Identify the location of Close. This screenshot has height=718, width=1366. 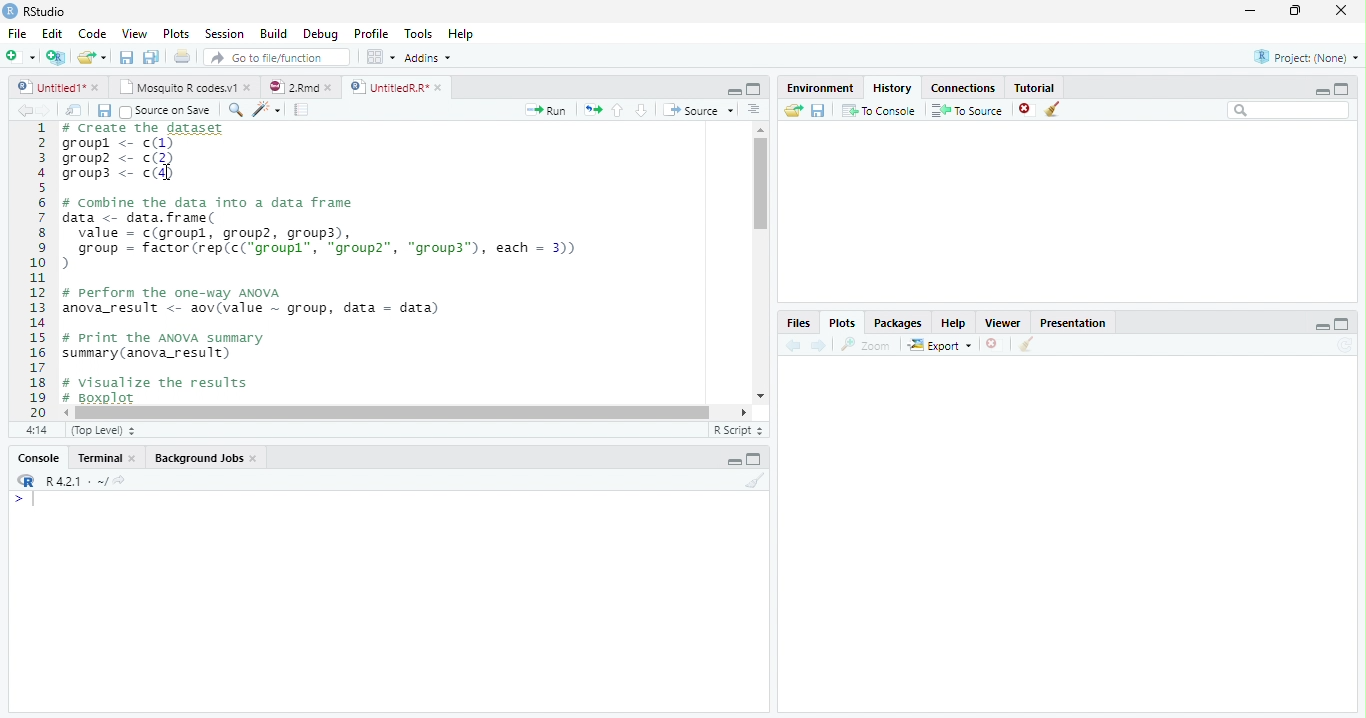
(1339, 12).